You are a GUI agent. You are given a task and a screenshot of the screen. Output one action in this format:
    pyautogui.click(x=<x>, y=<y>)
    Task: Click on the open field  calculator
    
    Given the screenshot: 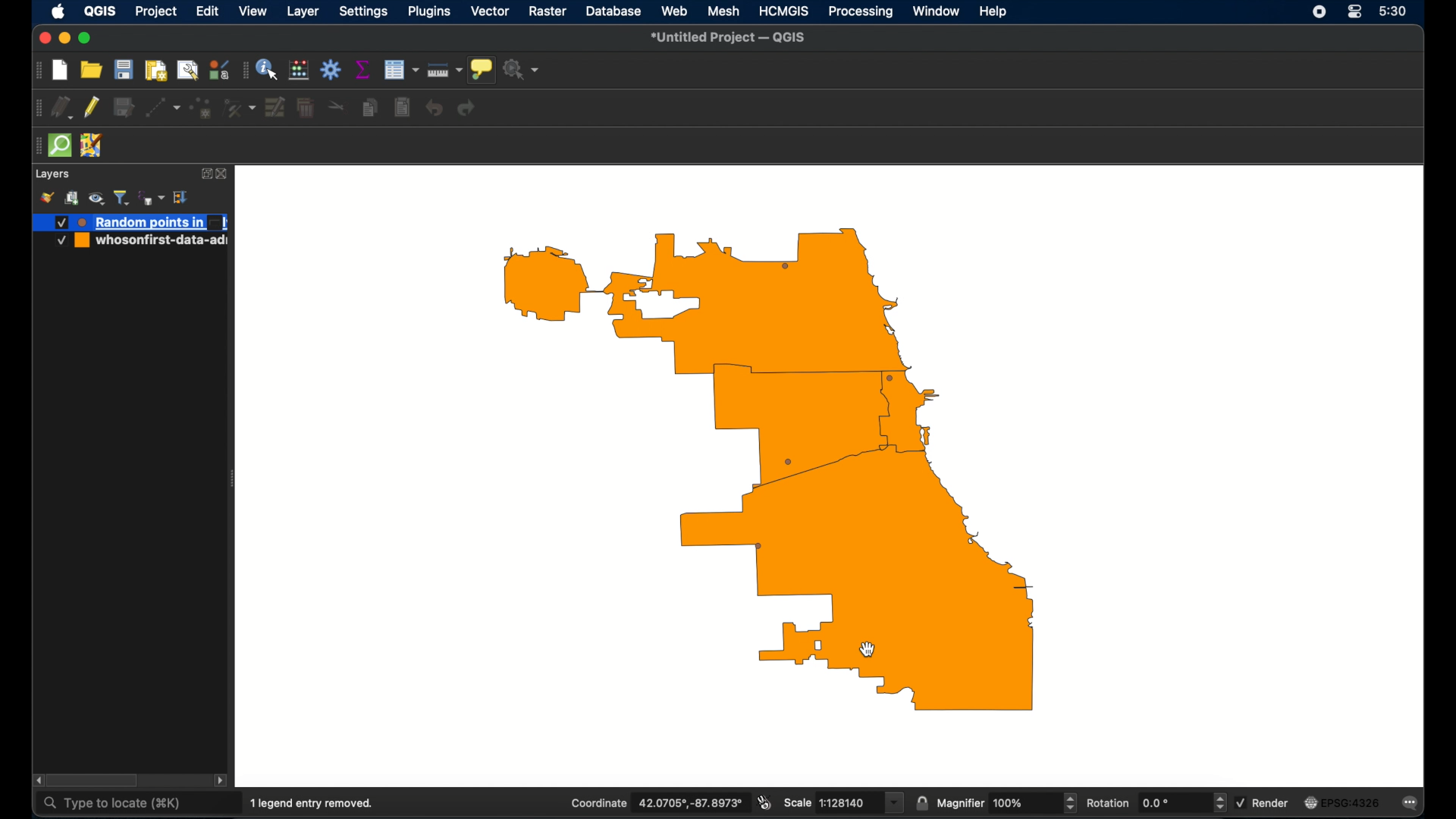 What is the action you would take?
    pyautogui.click(x=300, y=71)
    